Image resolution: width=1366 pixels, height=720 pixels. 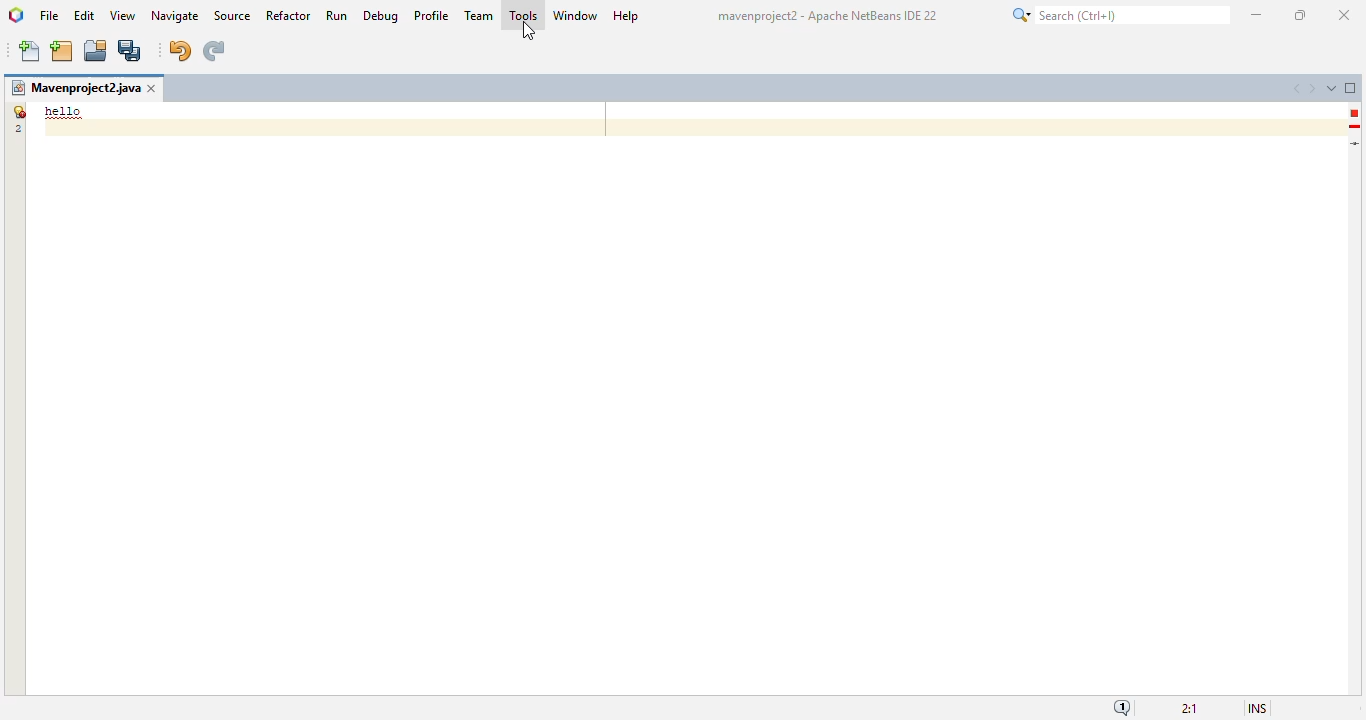 What do you see at coordinates (433, 15) in the screenshot?
I see `profile` at bounding box center [433, 15].